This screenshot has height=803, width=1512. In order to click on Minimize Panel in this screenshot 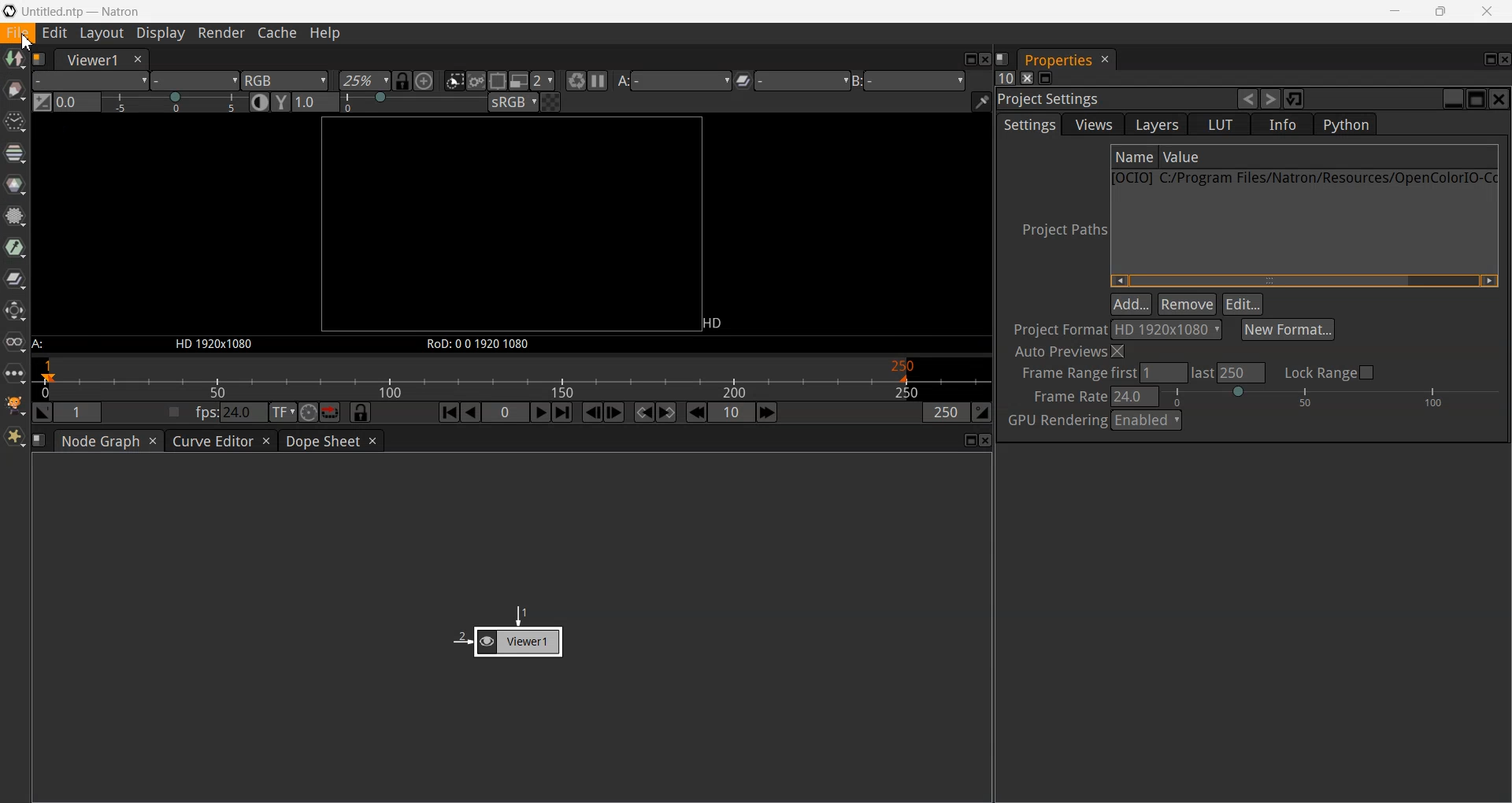, I will do `click(1046, 78)`.